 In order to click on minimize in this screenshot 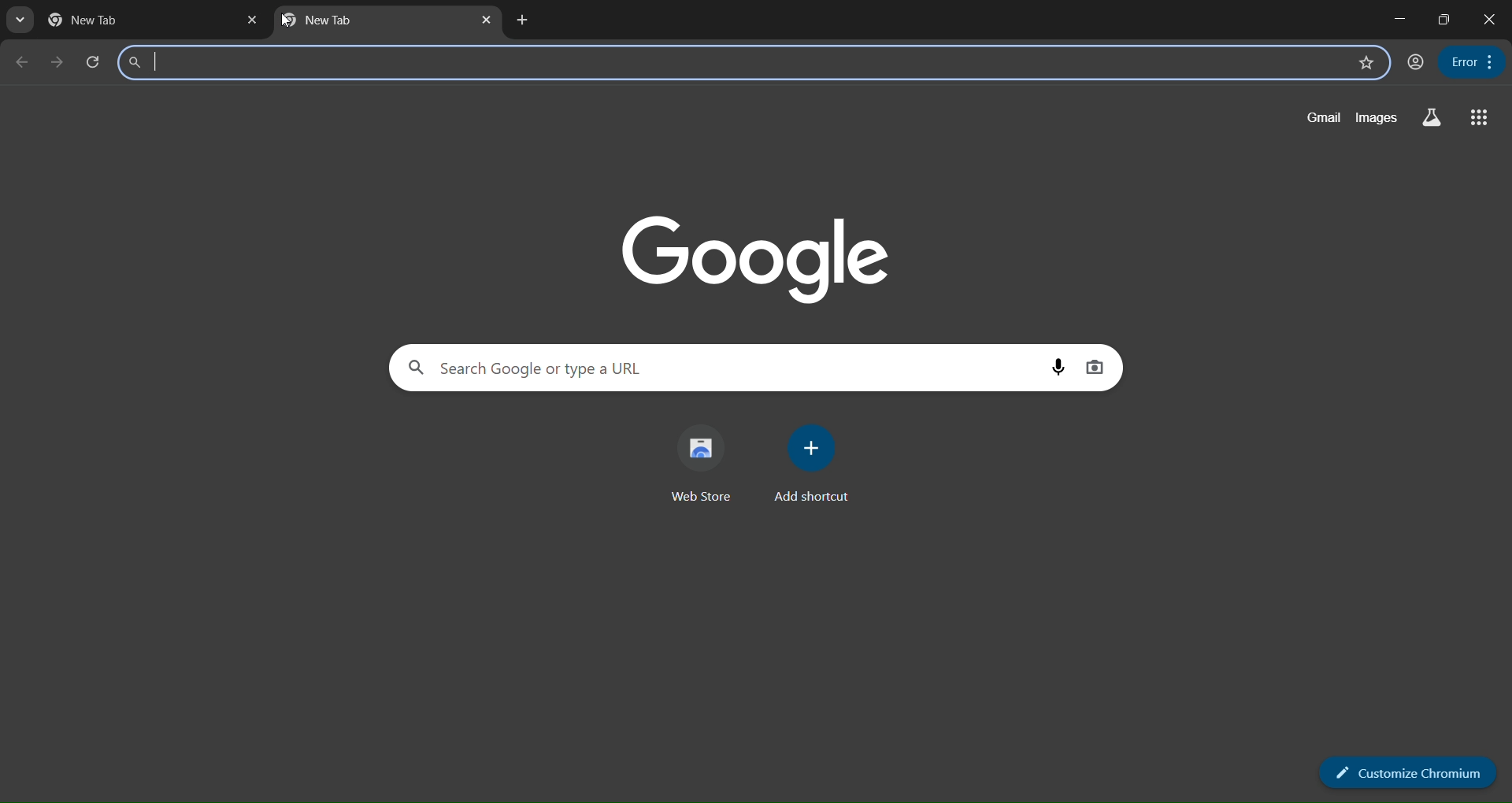, I will do `click(1394, 19)`.